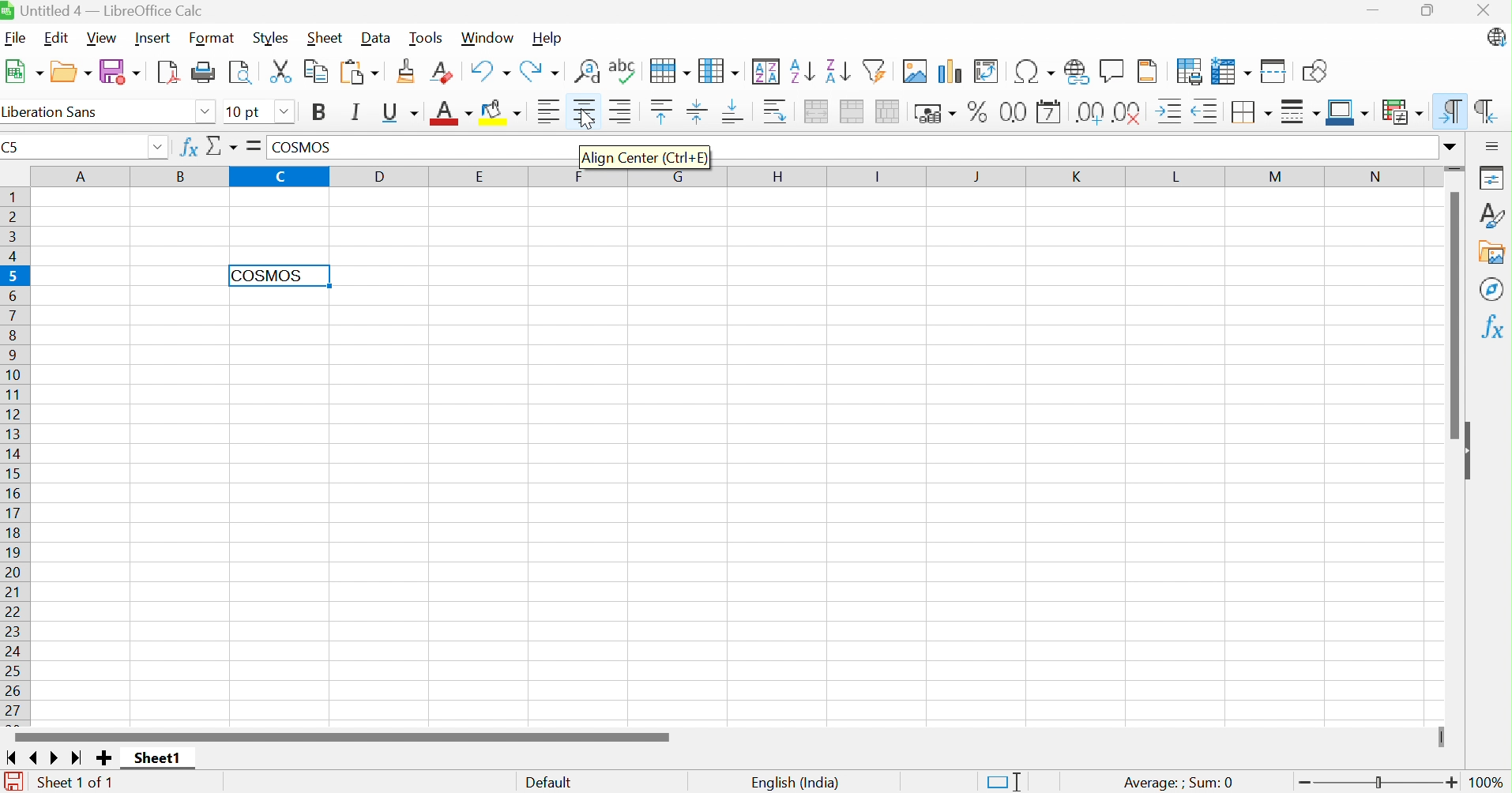 The height and width of the screenshot is (793, 1512). What do you see at coordinates (284, 111) in the screenshot?
I see `Drop Down` at bounding box center [284, 111].